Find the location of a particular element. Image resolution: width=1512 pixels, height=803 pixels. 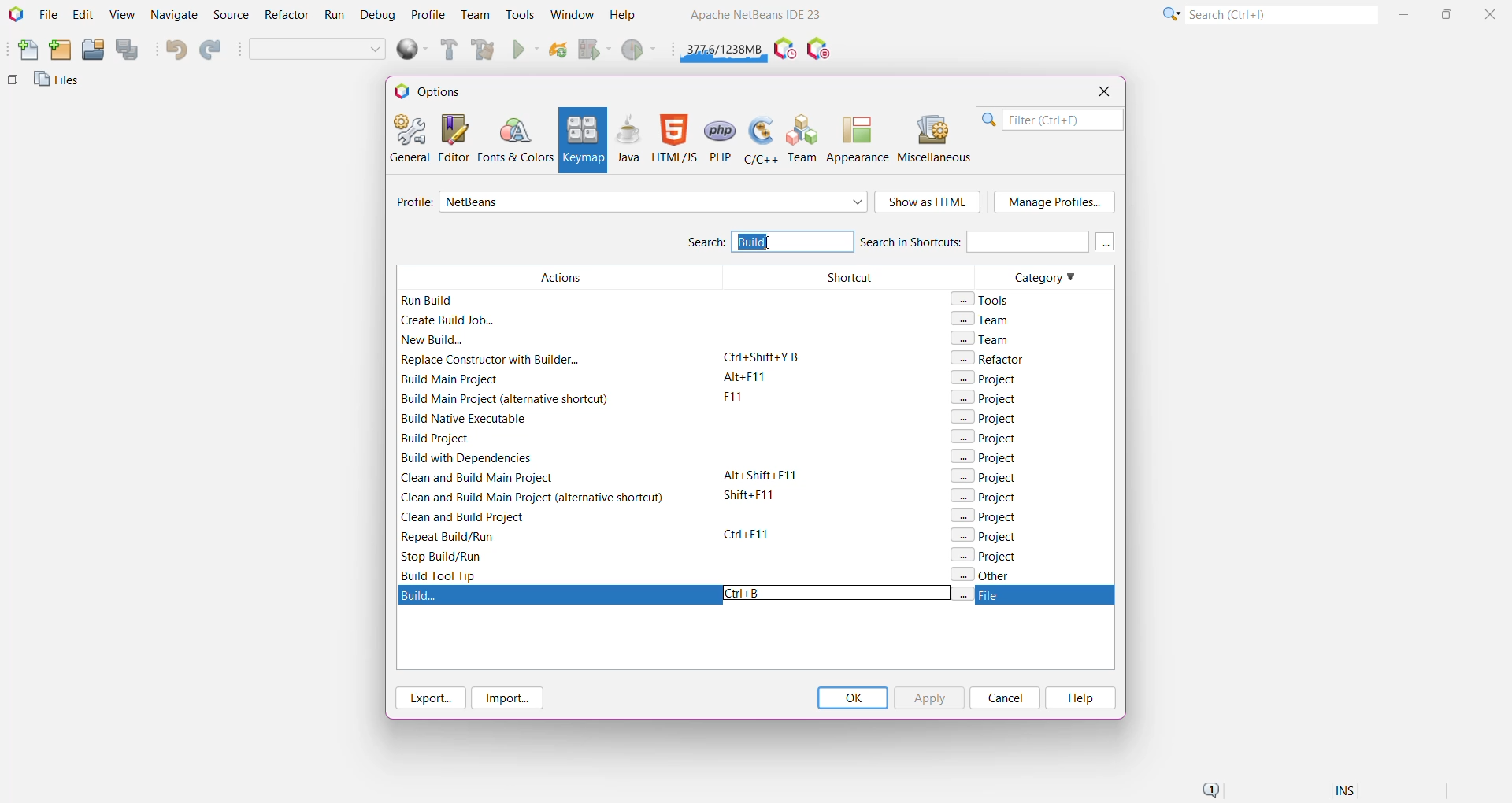

Clean and Build Main Project is located at coordinates (486, 51).